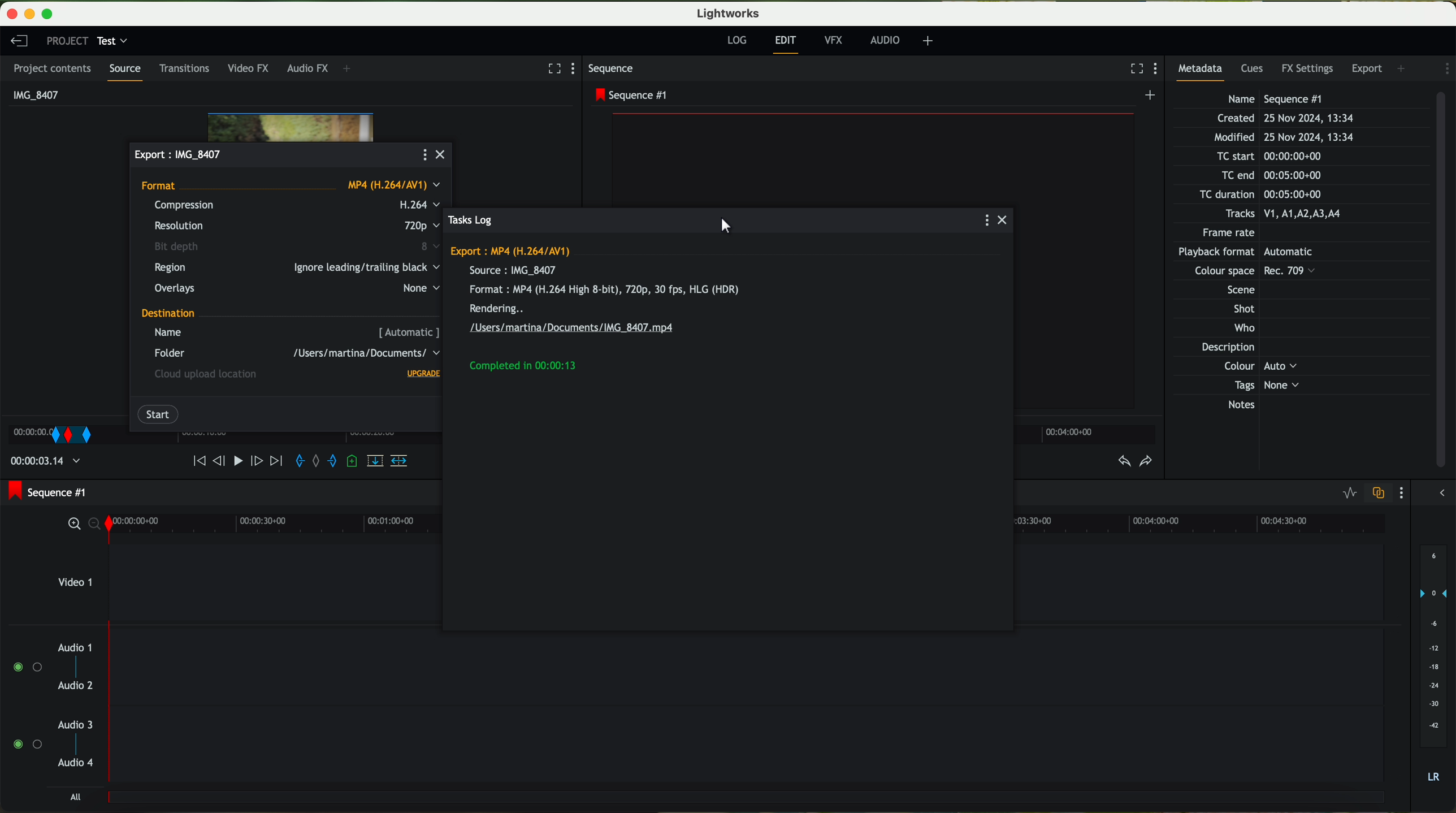  I want to click on upgrade, so click(425, 374).